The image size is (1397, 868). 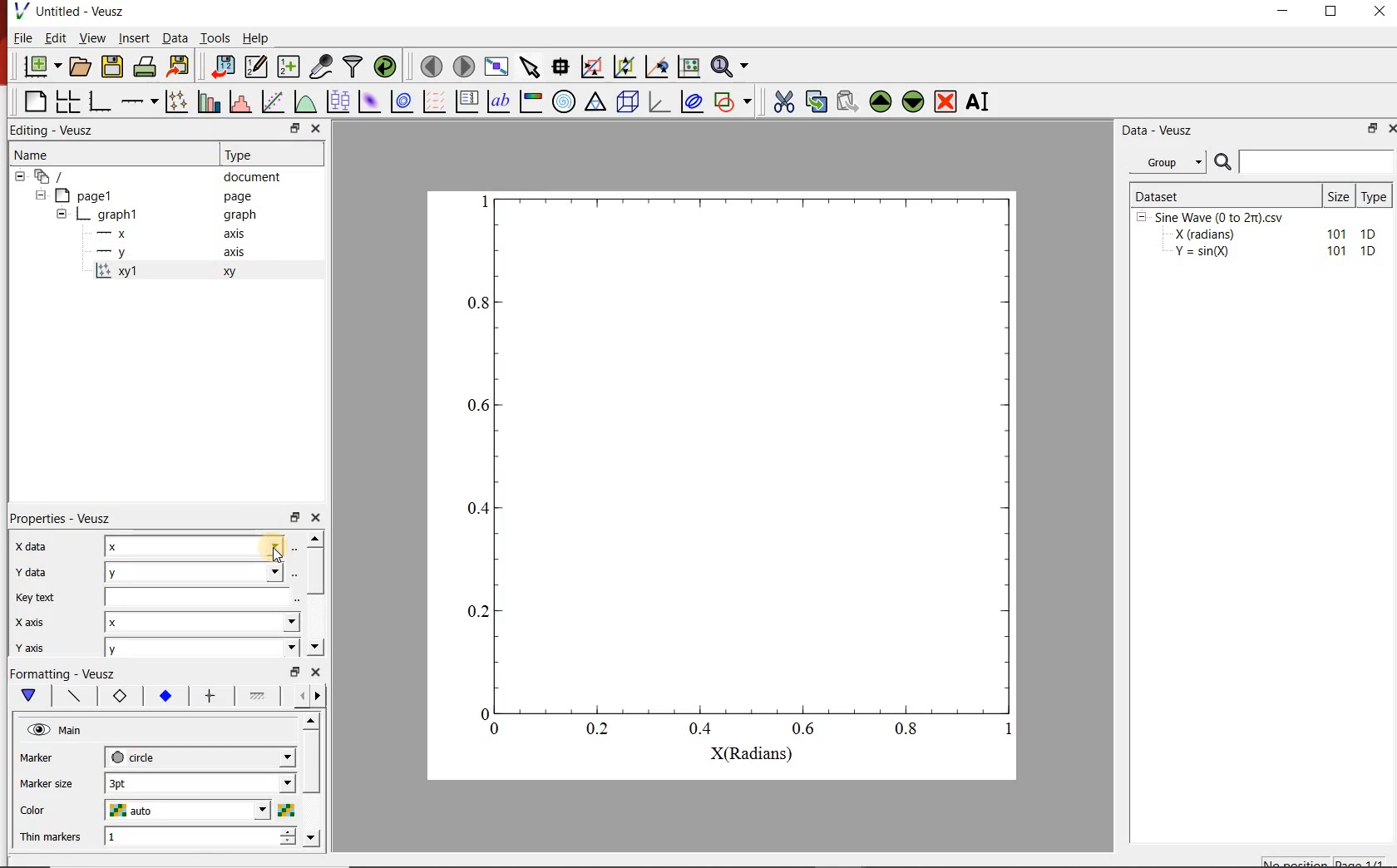 What do you see at coordinates (370, 101) in the screenshot?
I see `plot 2d dataset as image` at bounding box center [370, 101].